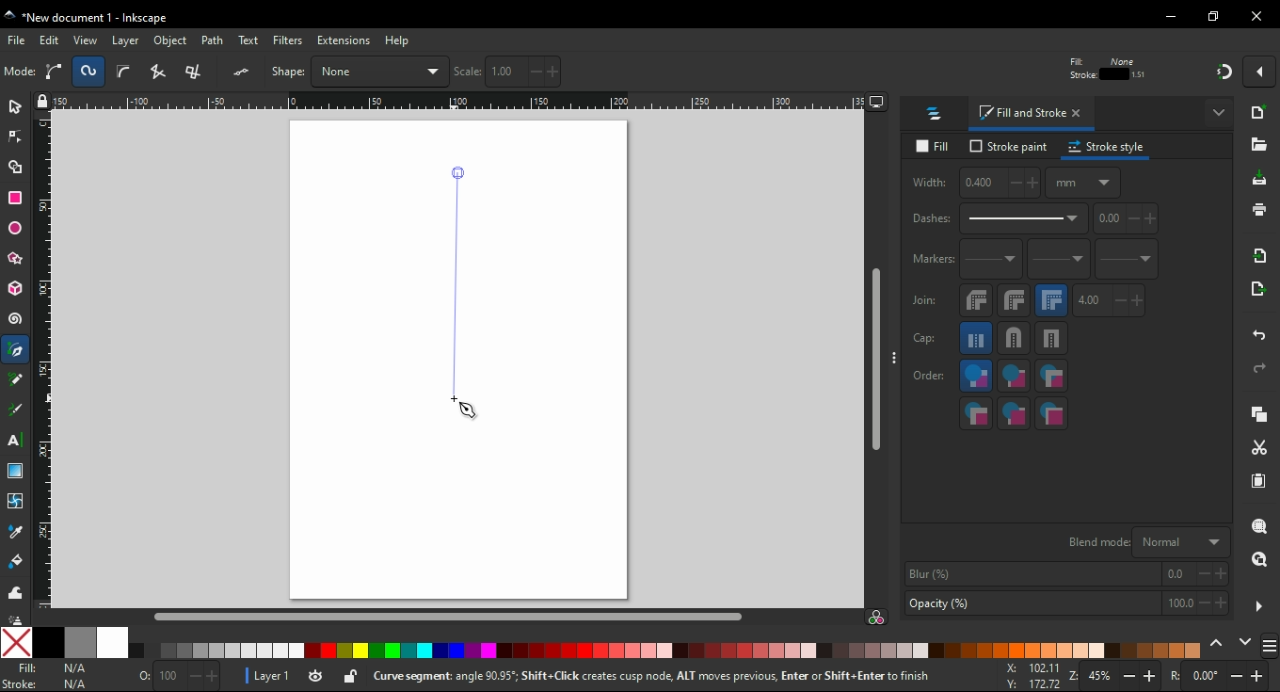  What do you see at coordinates (286, 71) in the screenshot?
I see `object flip  vertical` at bounding box center [286, 71].